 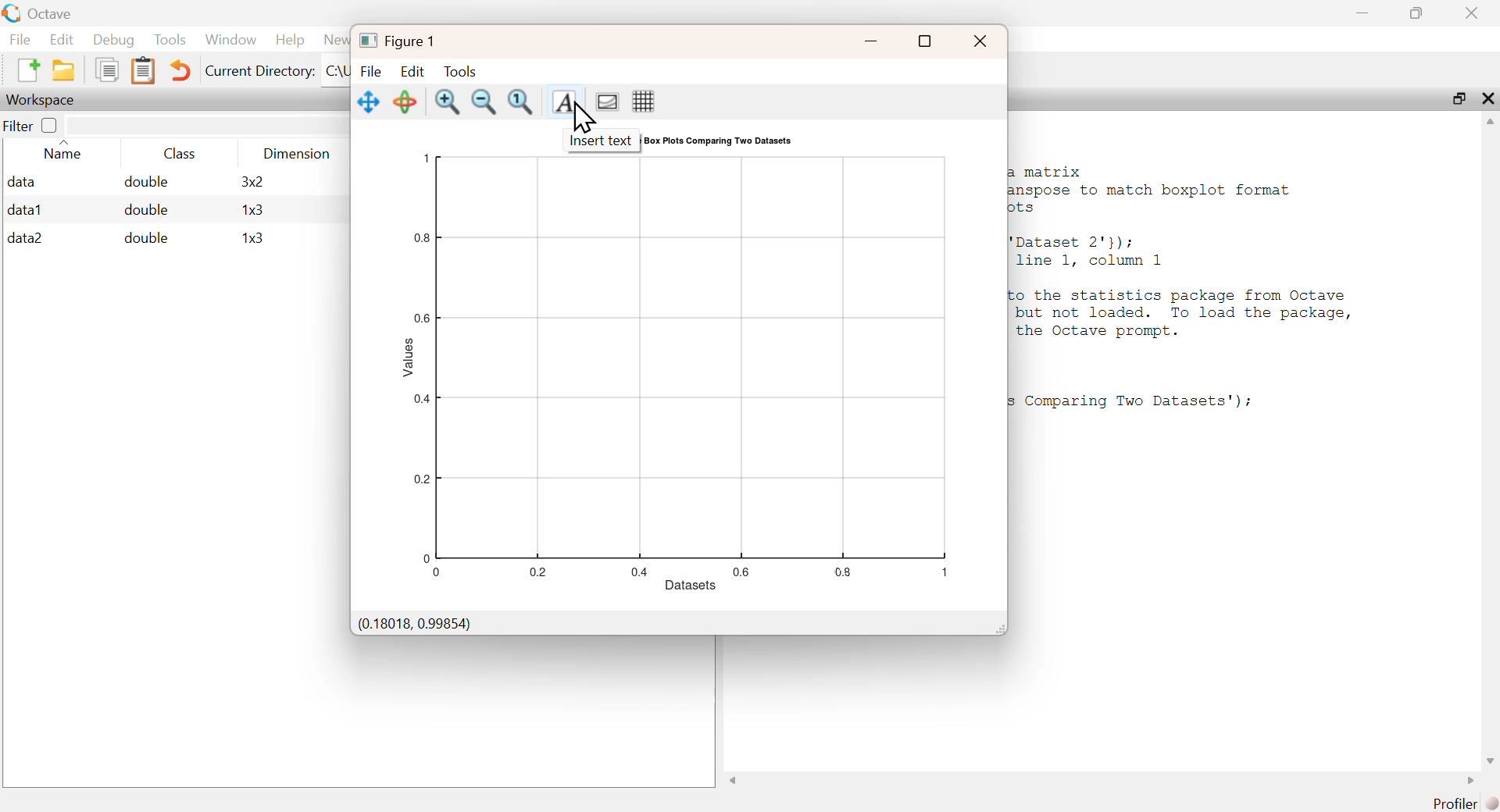 What do you see at coordinates (1417, 12) in the screenshot?
I see `maximize` at bounding box center [1417, 12].